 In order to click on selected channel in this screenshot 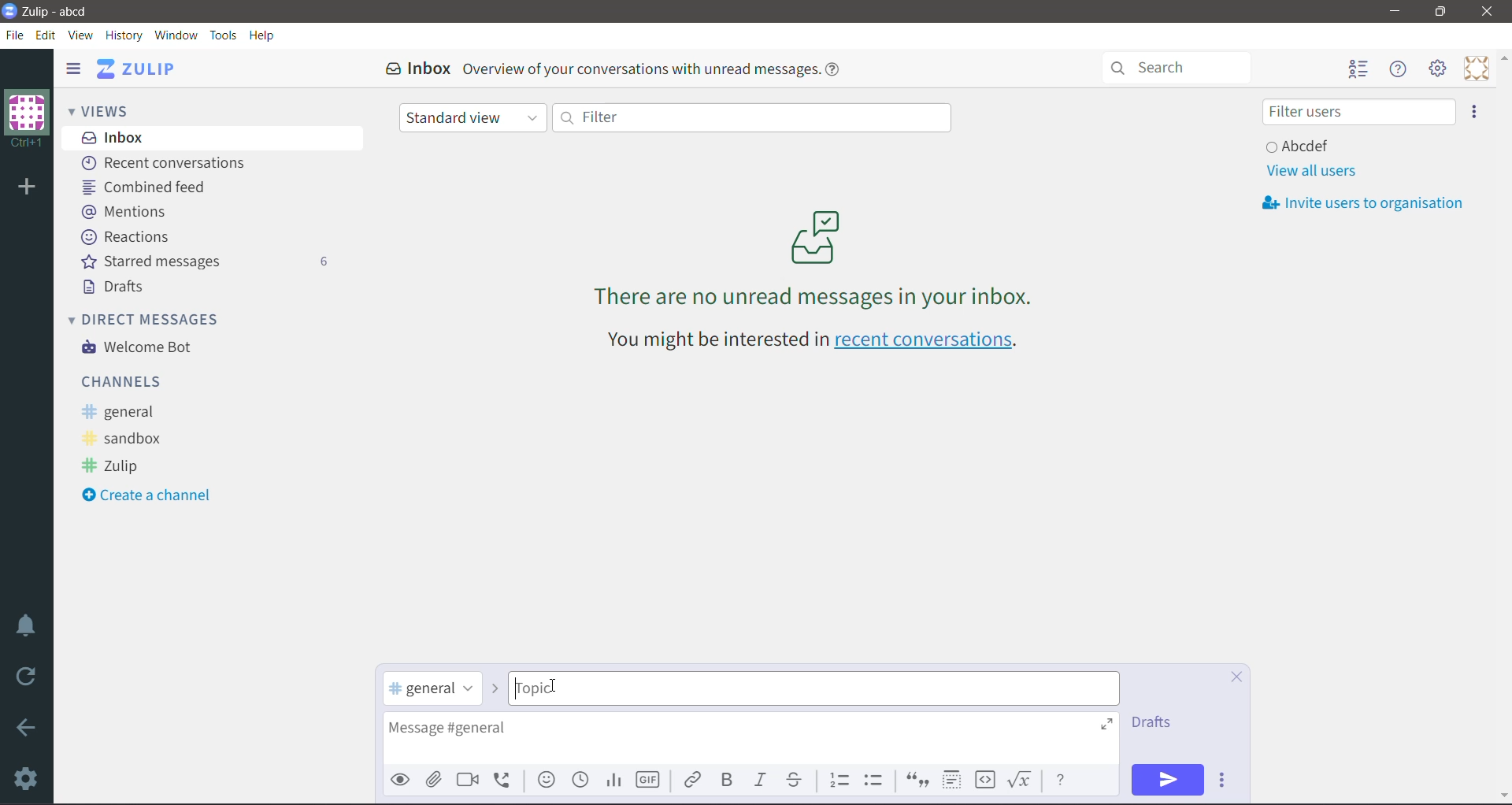, I will do `click(433, 689)`.